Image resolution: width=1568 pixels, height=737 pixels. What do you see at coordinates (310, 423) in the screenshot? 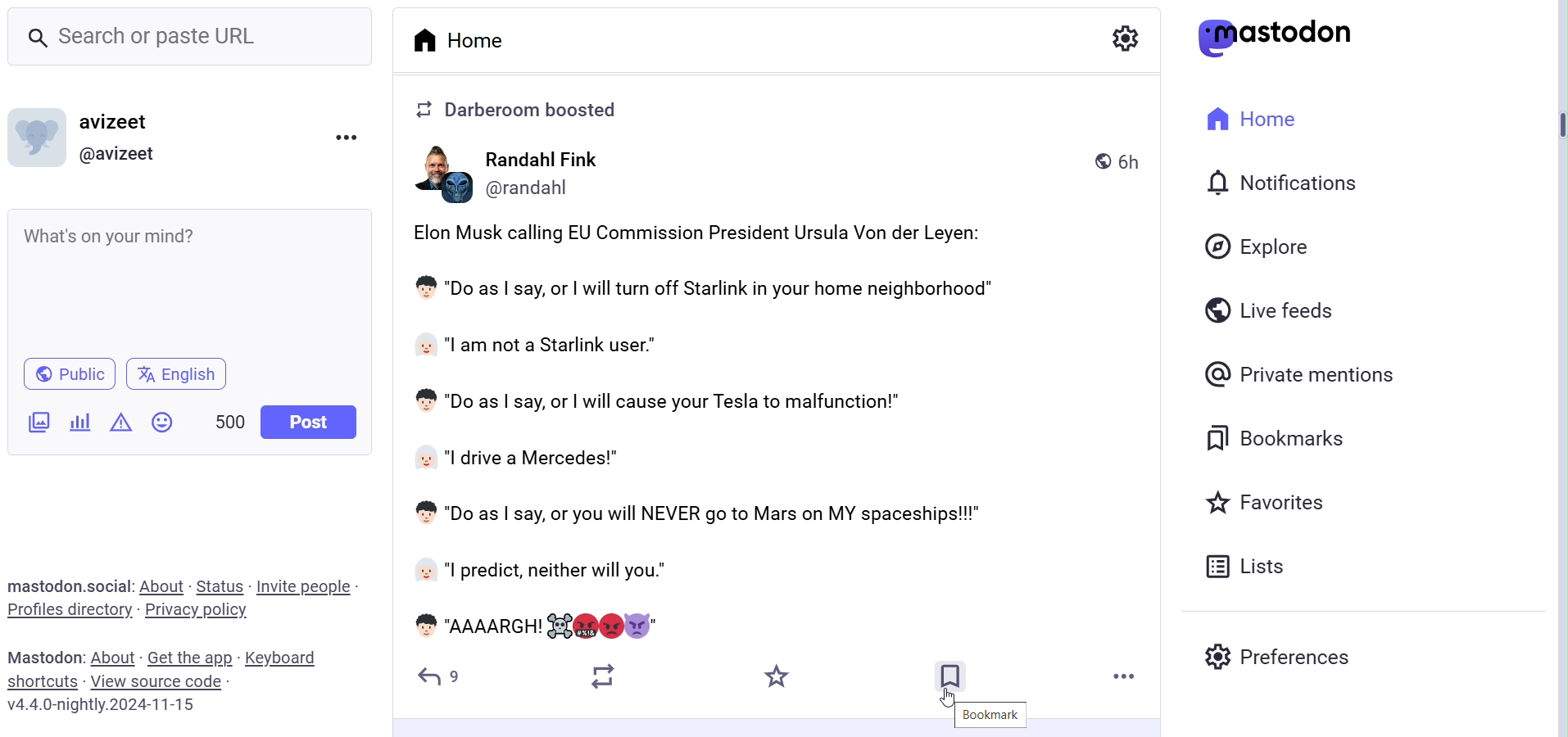
I see `Post` at bounding box center [310, 423].